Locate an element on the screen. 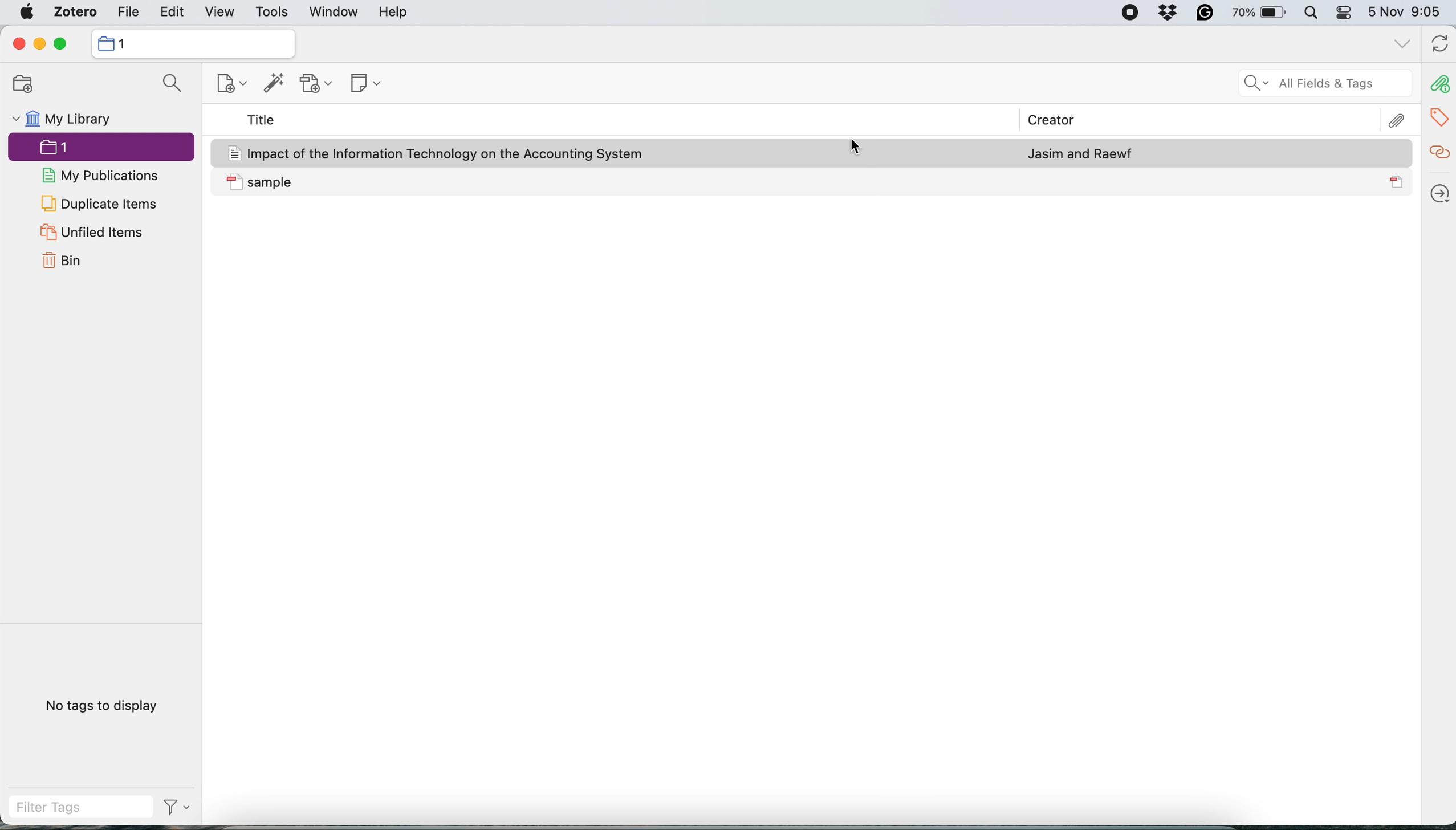  tools is located at coordinates (271, 13).